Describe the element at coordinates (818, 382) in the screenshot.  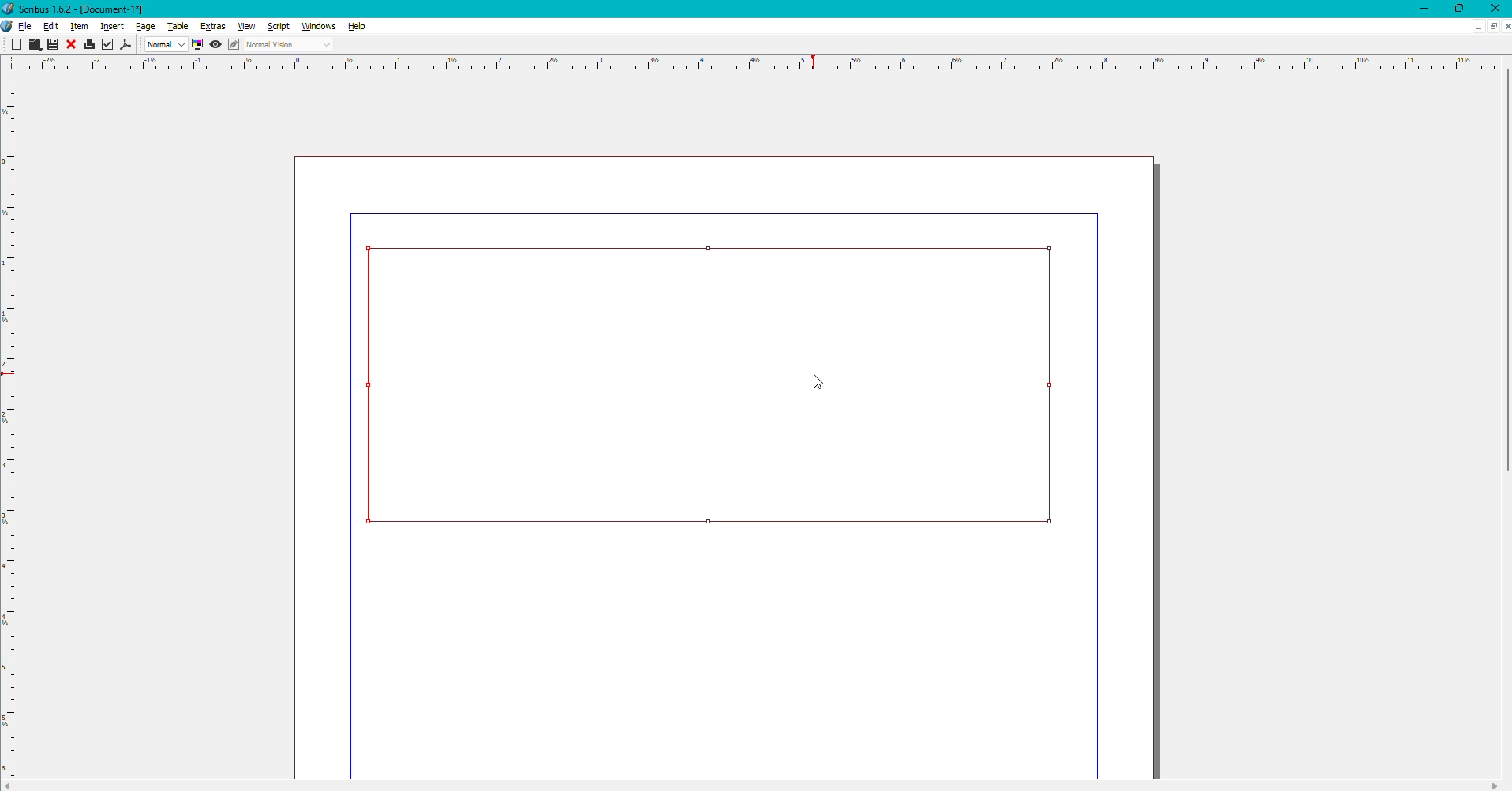
I see `Cursor` at that location.